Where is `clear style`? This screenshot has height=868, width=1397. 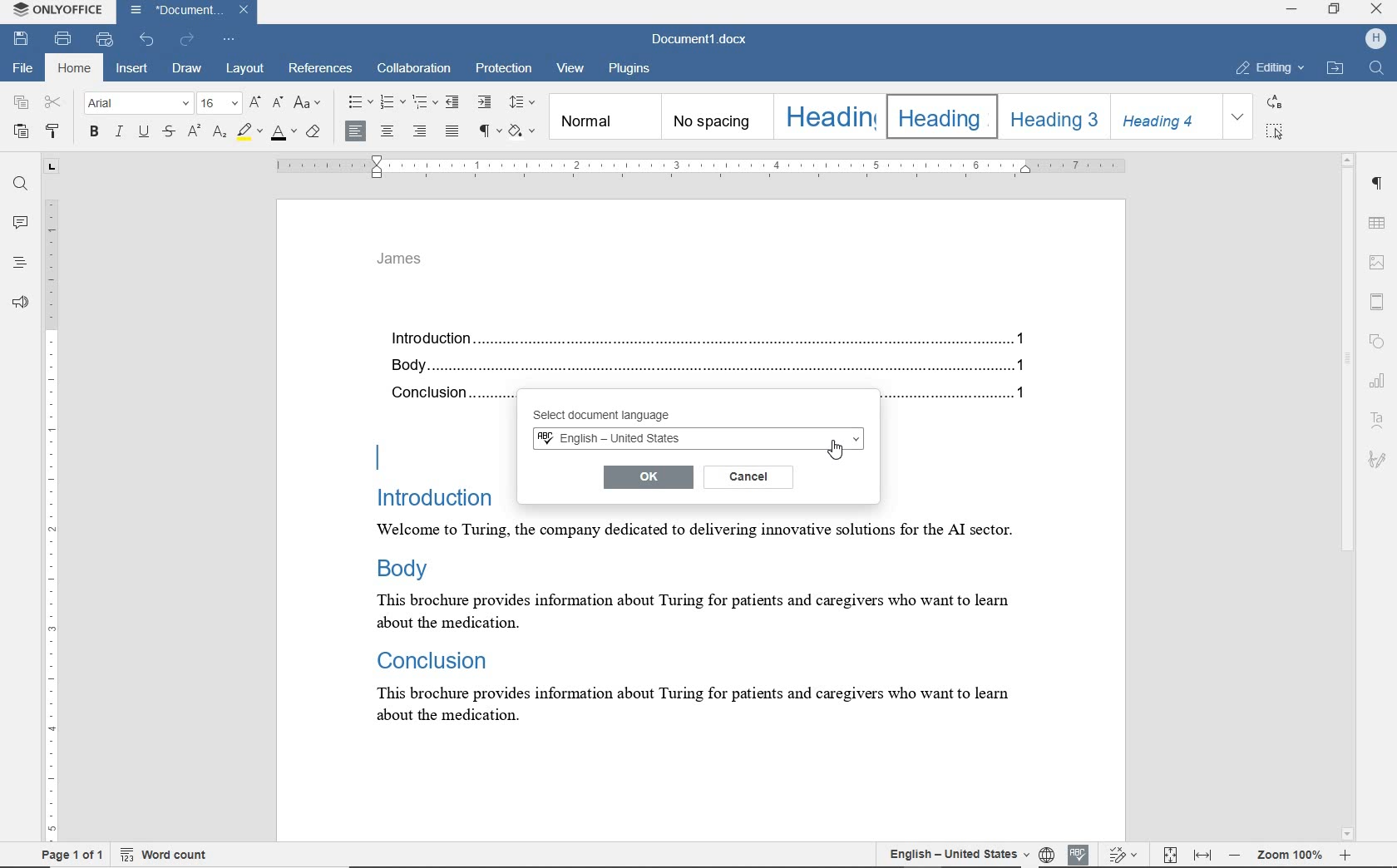 clear style is located at coordinates (315, 132).